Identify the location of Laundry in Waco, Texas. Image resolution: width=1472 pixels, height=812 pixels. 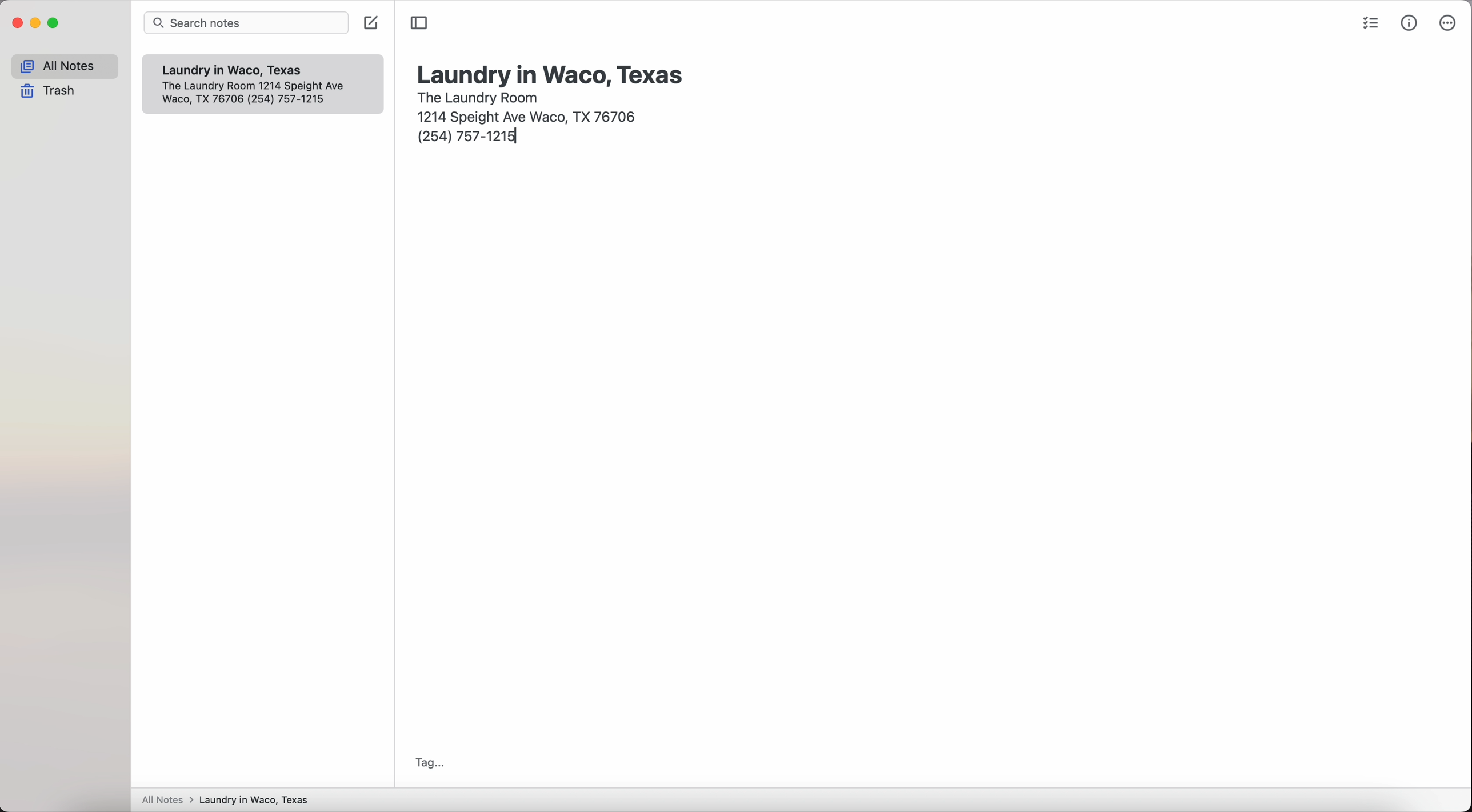
(239, 70).